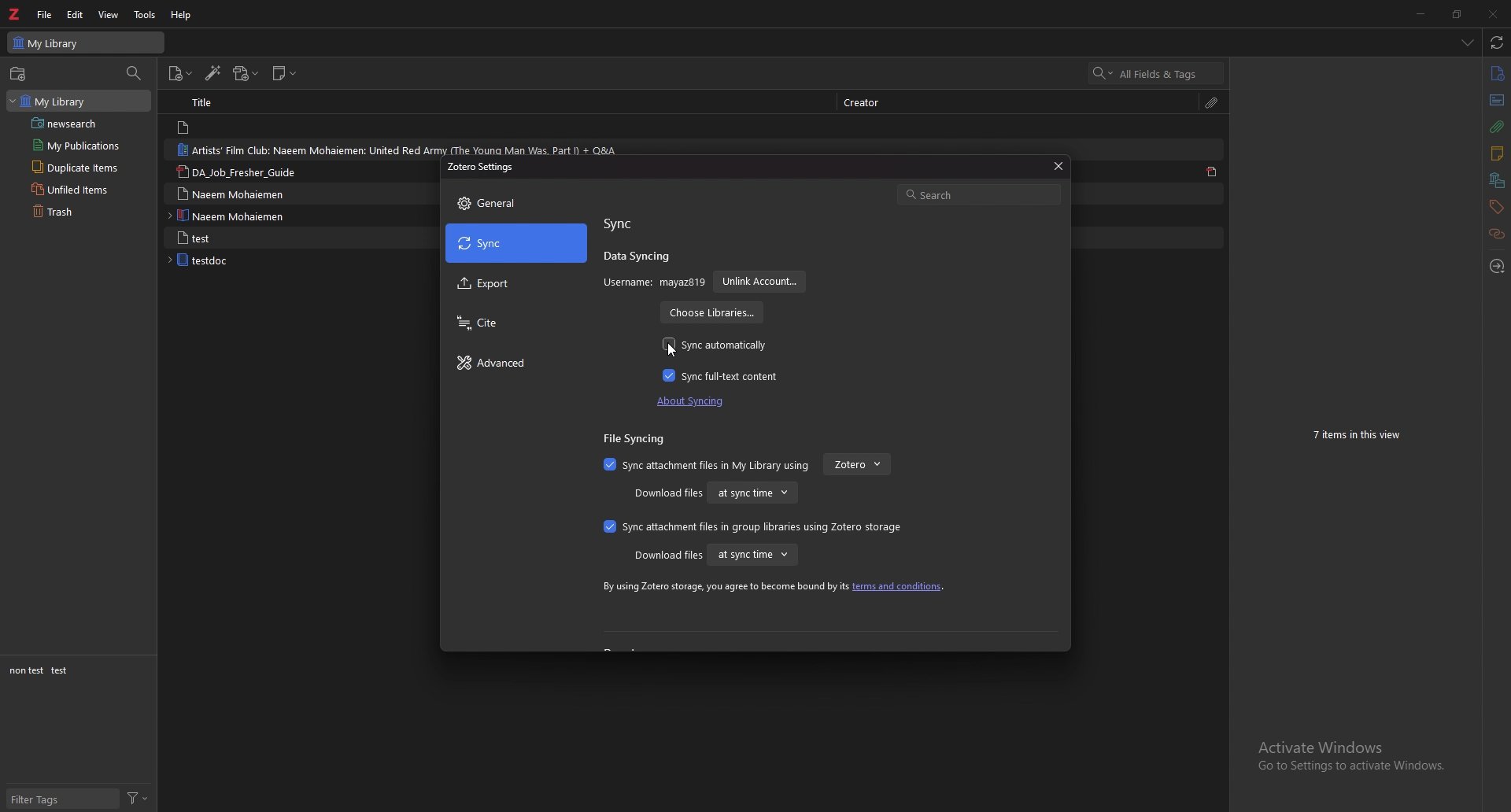 This screenshot has height=812, width=1511. What do you see at coordinates (637, 258) in the screenshot?
I see `data syncing` at bounding box center [637, 258].